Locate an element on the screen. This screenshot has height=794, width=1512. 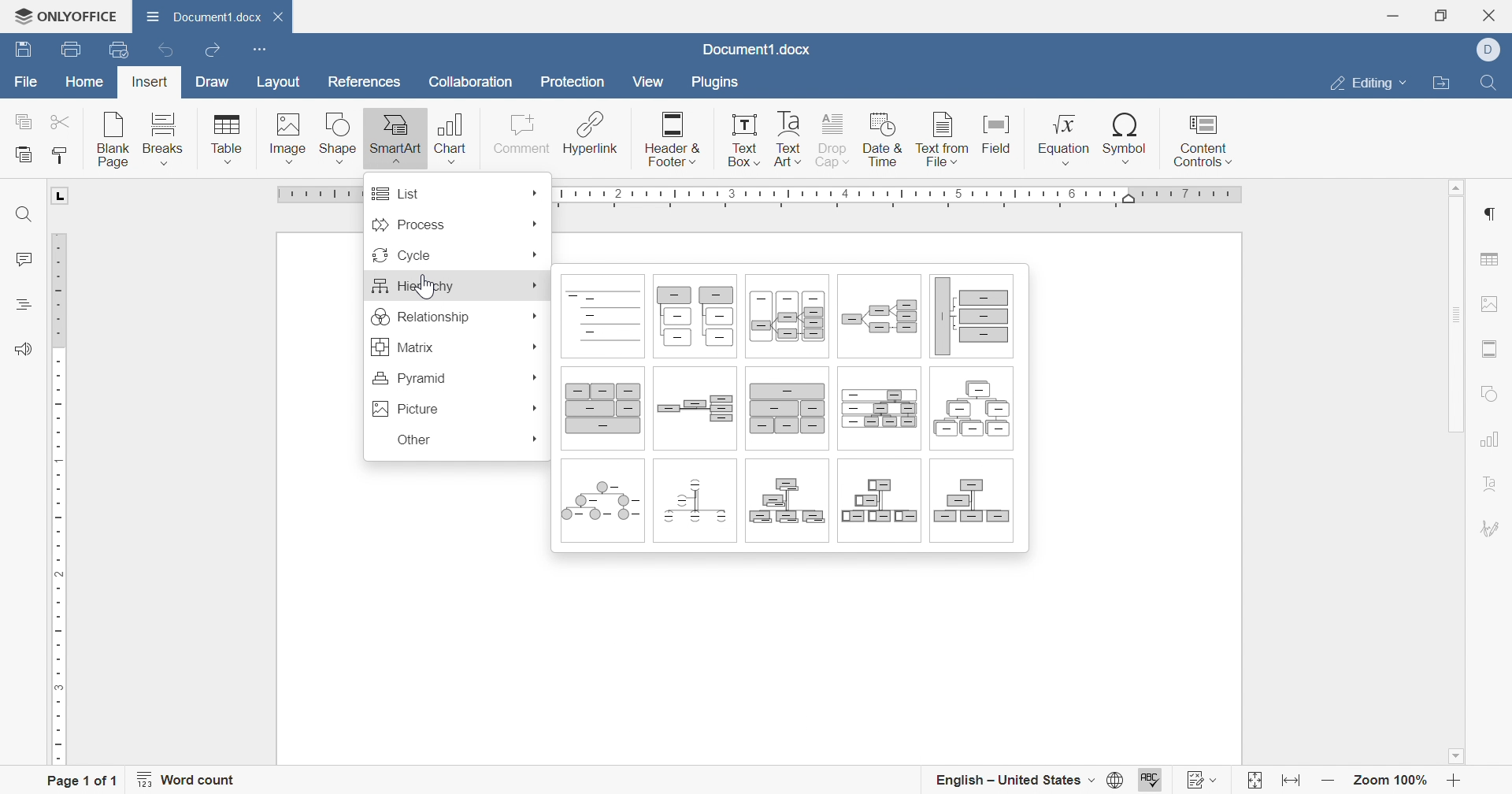
Find is located at coordinates (21, 215).